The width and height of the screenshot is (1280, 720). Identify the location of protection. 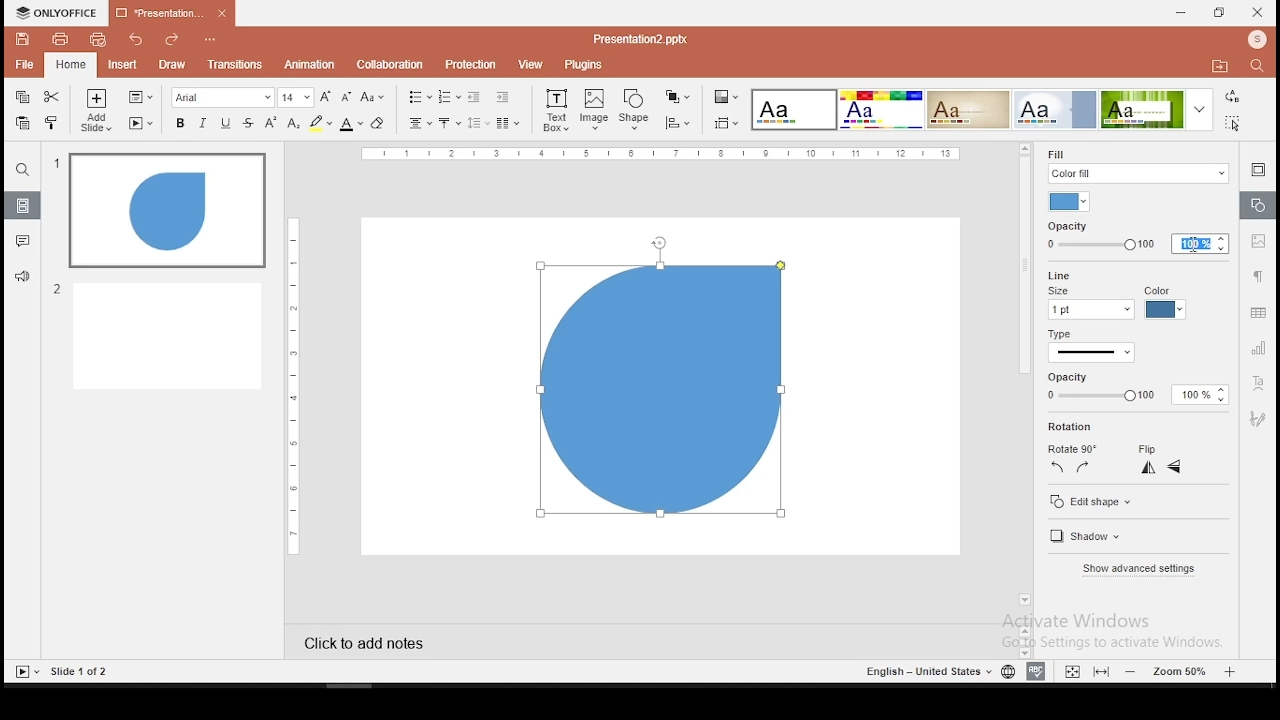
(469, 65).